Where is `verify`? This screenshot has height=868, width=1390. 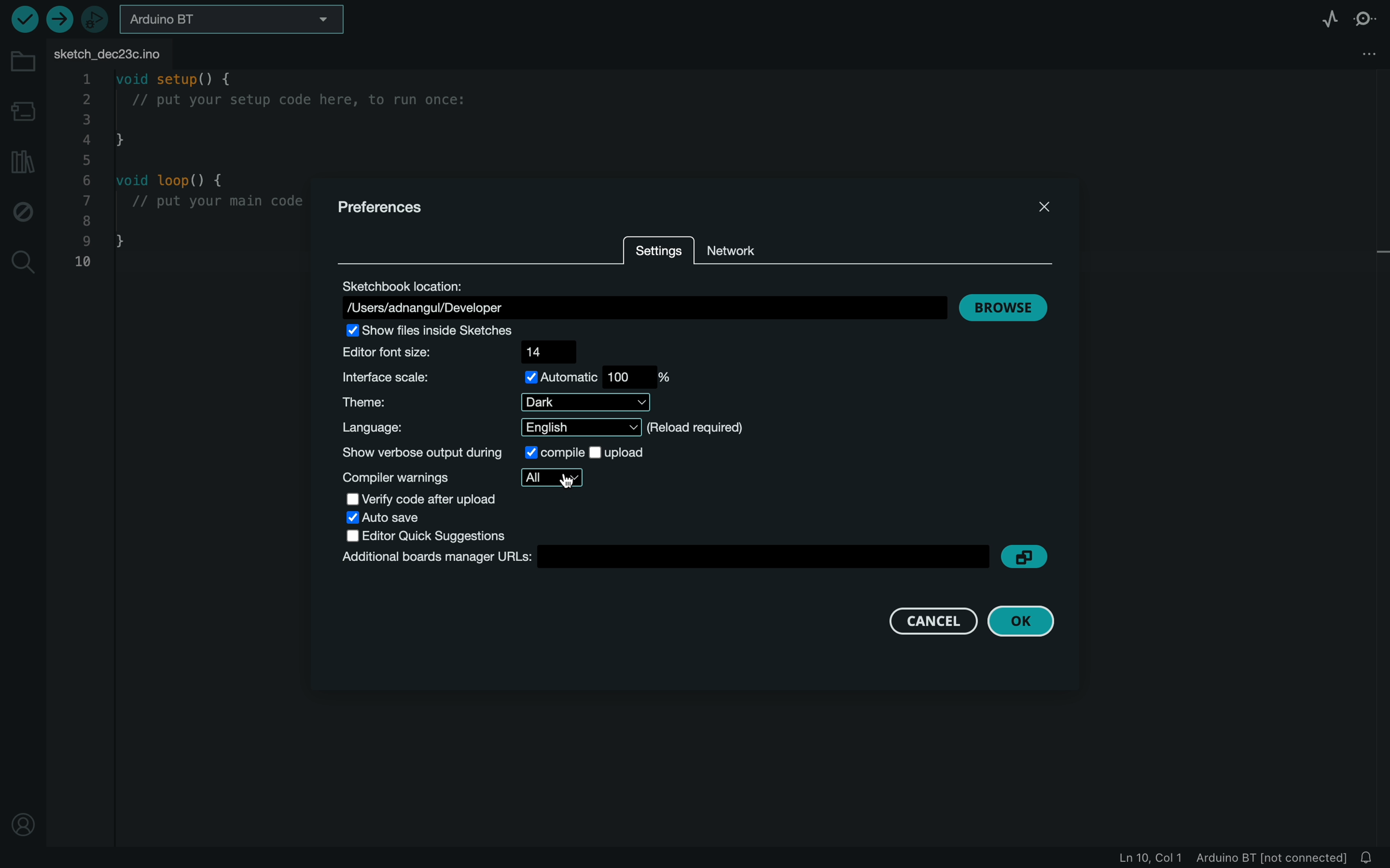 verify is located at coordinates (22, 19).